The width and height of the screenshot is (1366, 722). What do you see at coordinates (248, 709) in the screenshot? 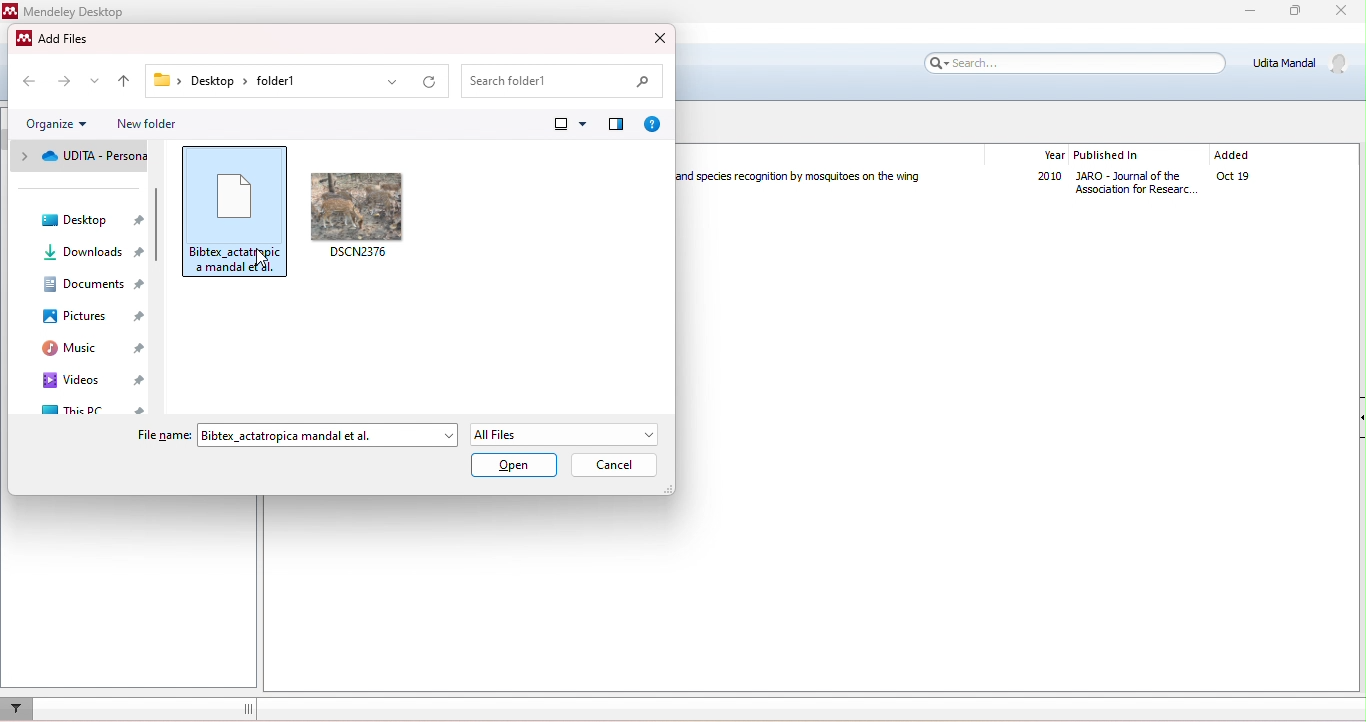
I see `dragging line` at bounding box center [248, 709].